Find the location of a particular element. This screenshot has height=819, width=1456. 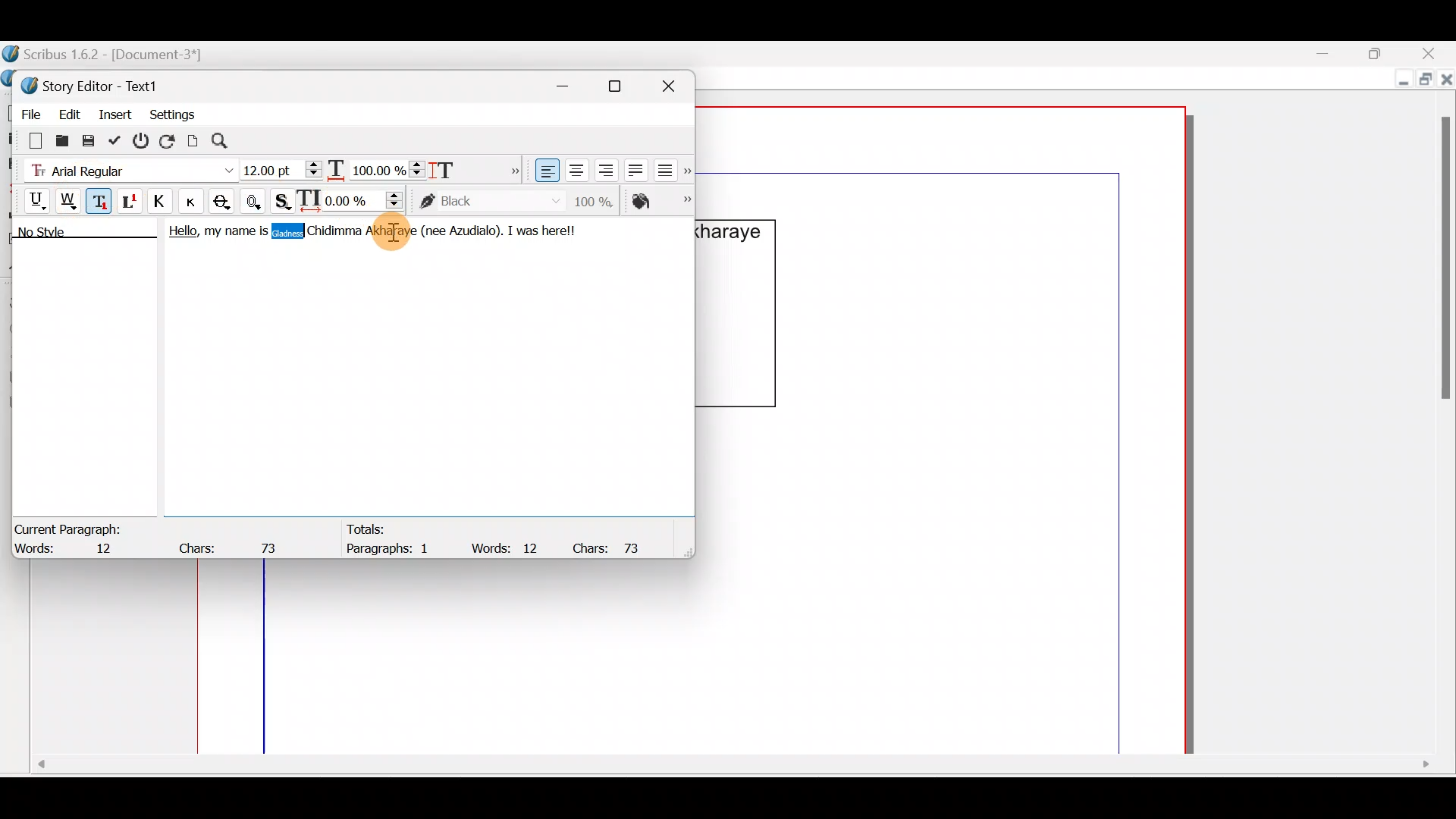

Underline words only is located at coordinates (70, 200).